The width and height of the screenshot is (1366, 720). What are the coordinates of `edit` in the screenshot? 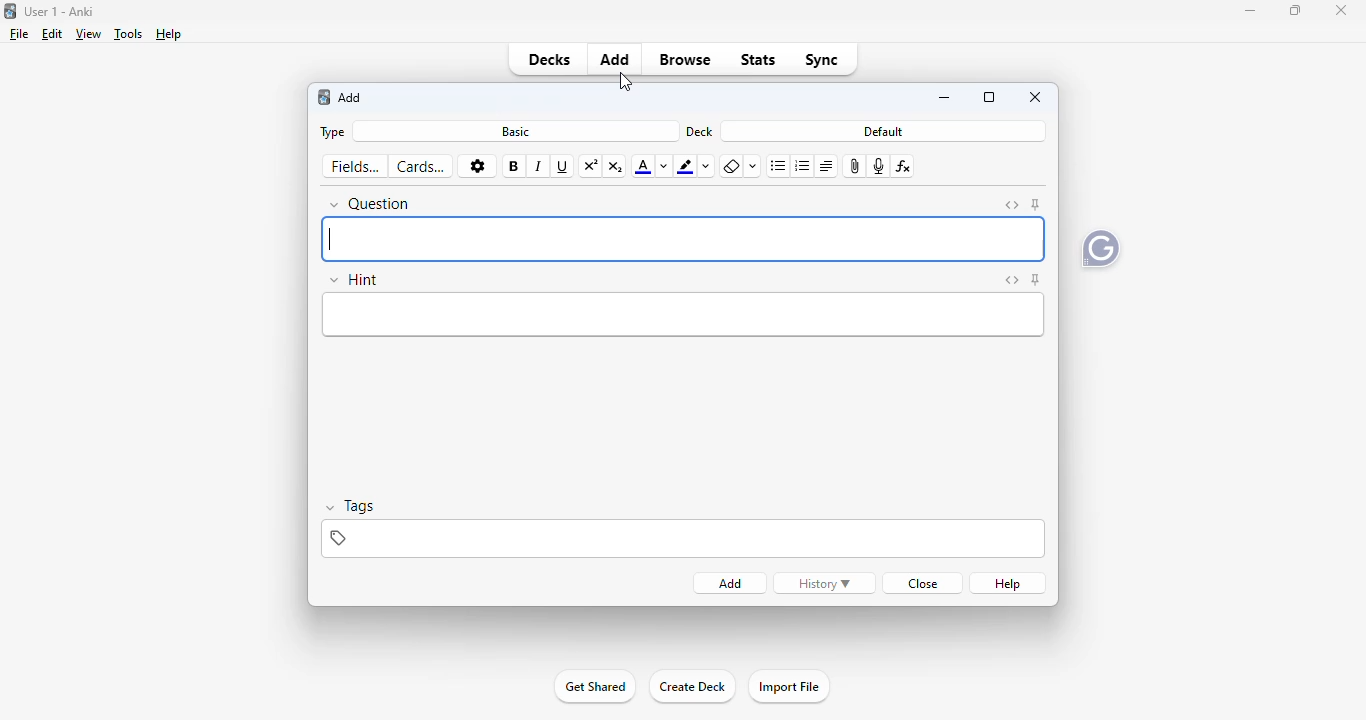 It's located at (53, 34).